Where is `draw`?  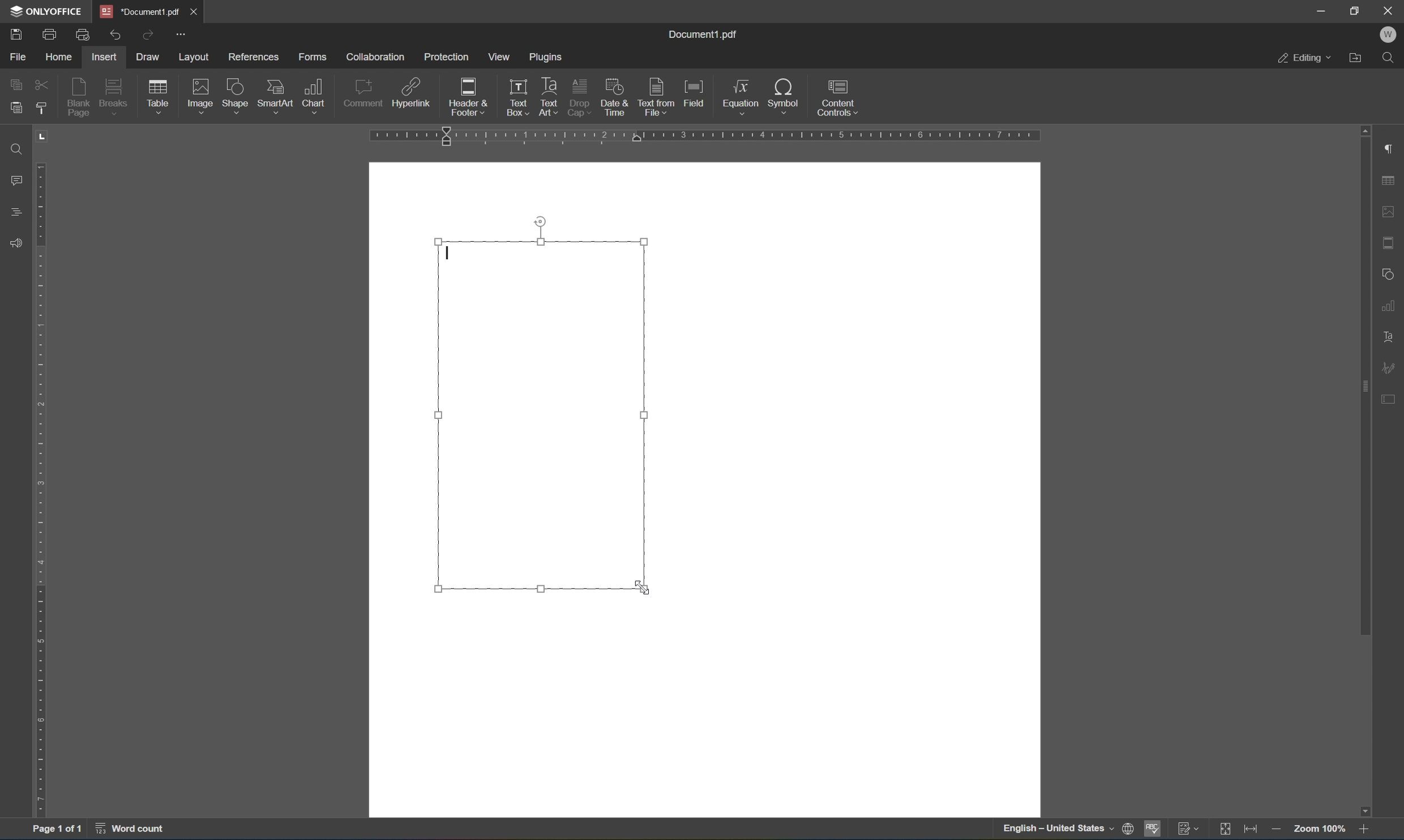
draw is located at coordinates (150, 55).